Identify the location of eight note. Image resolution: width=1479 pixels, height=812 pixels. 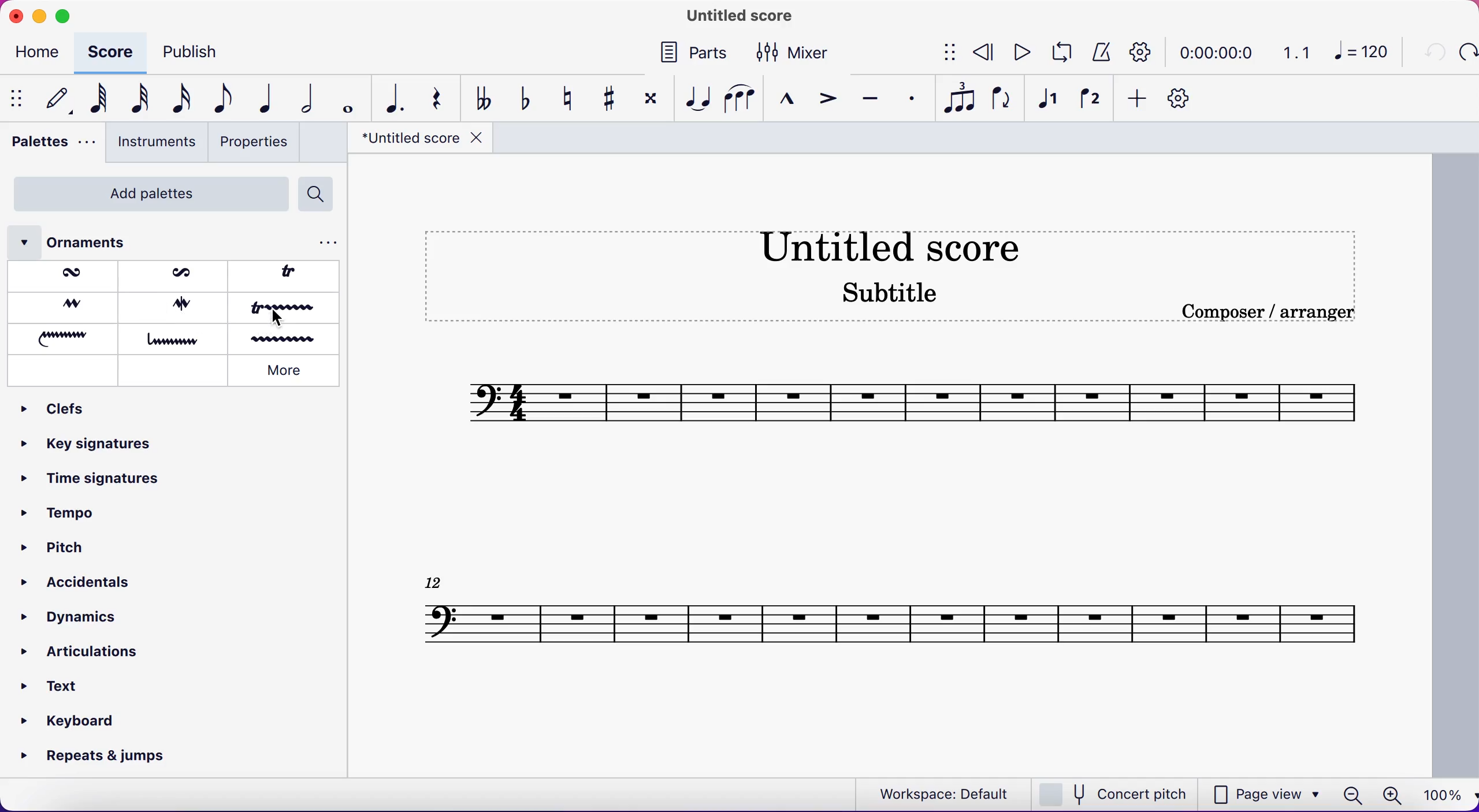
(222, 100).